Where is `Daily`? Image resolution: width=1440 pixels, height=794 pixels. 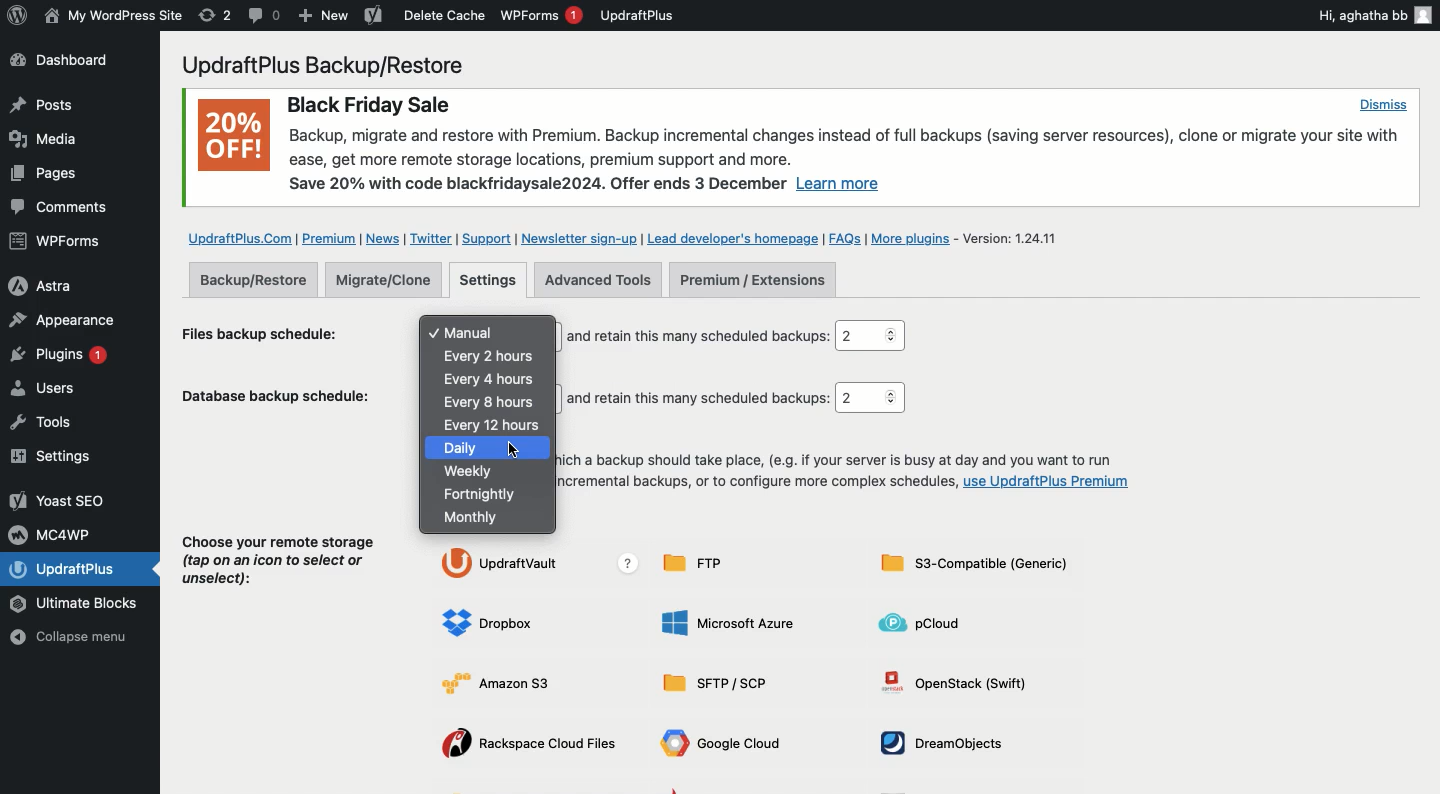
Daily is located at coordinates (491, 448).